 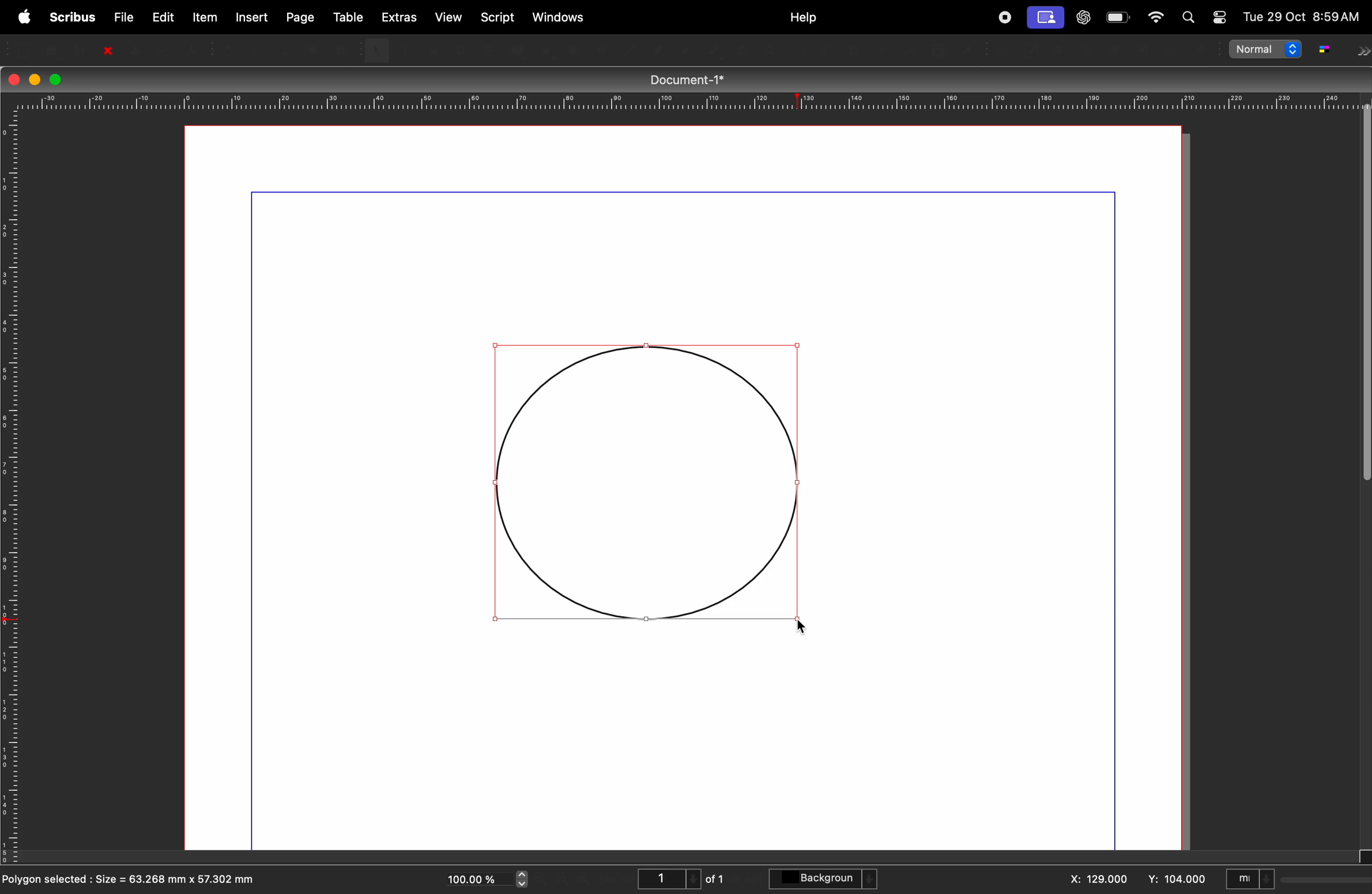 What do you see at coordinates (1198, 50) in the screenshot?
I see `Link annotation` at bounding box center [1198, 50].